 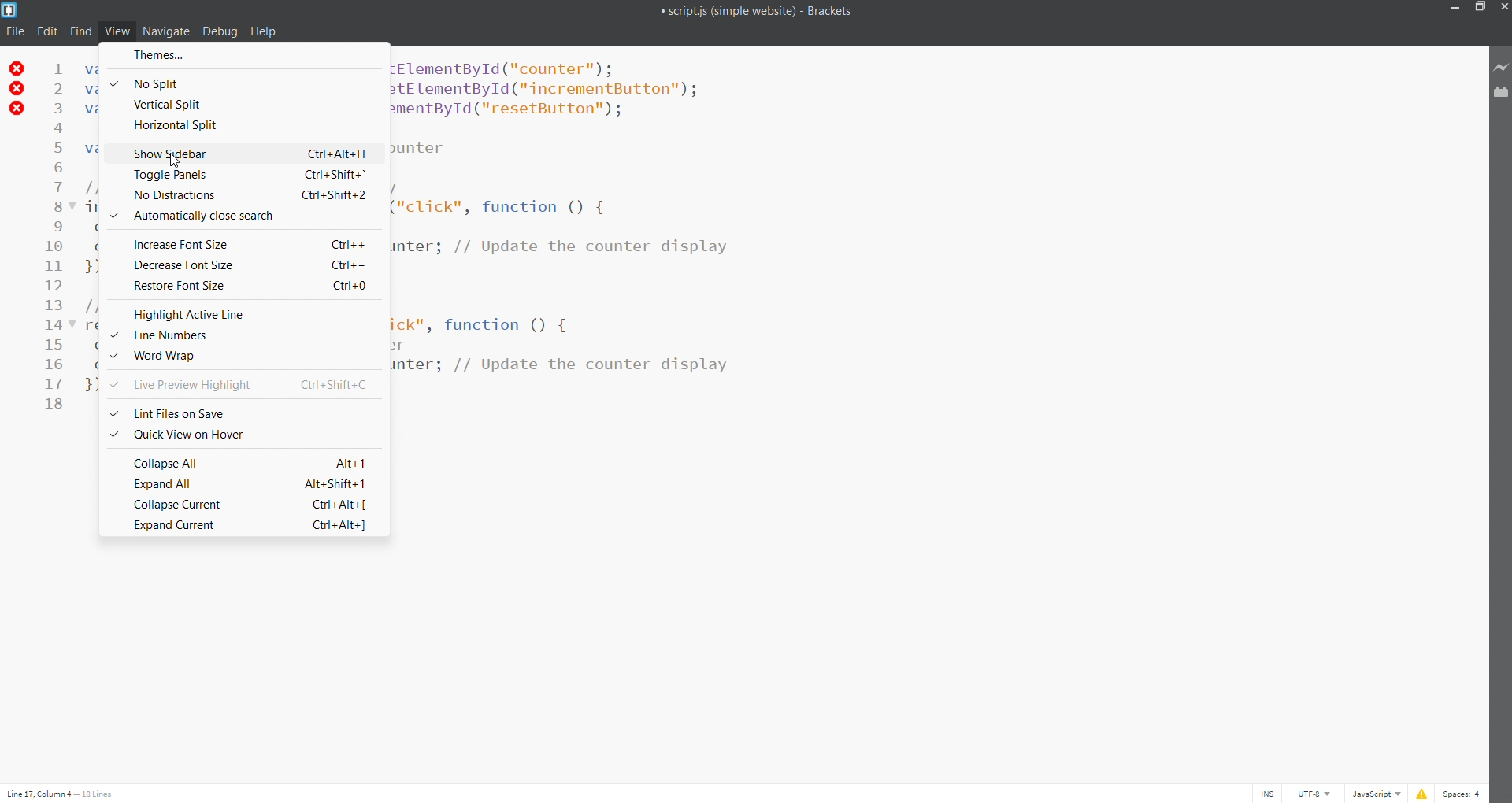 I want to click on no distractions, so click(x=242, y=194).